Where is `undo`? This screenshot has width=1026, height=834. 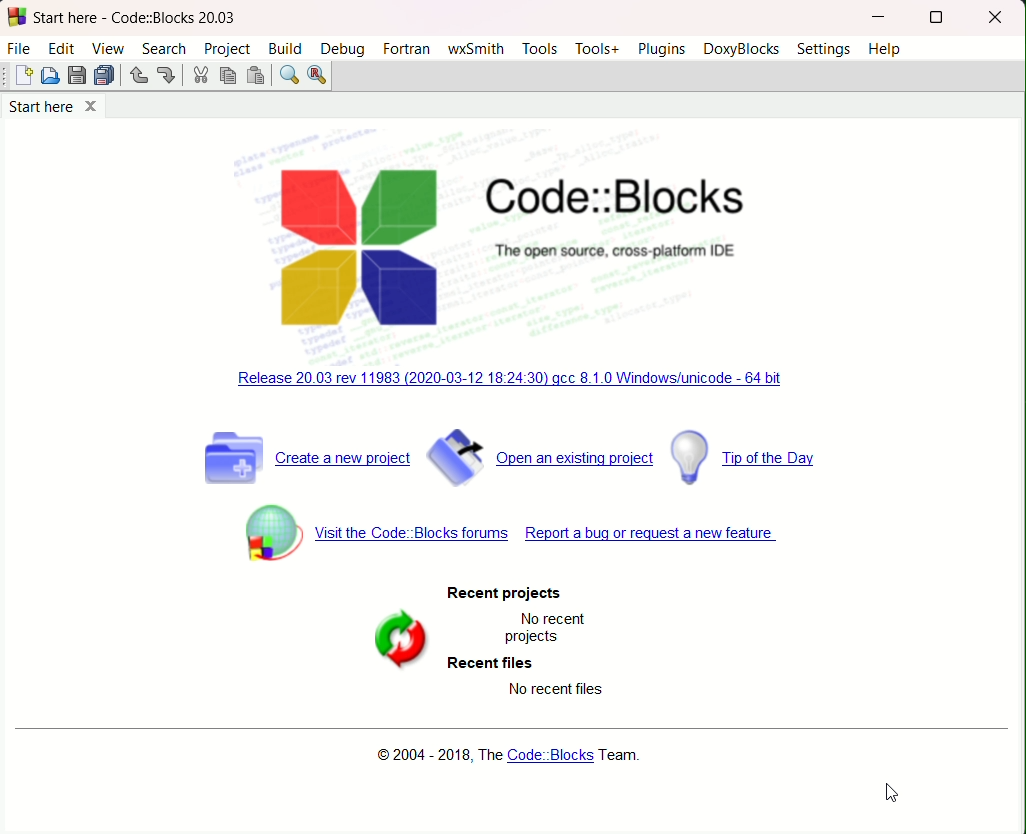 undo is located at coordinates (139, 77).